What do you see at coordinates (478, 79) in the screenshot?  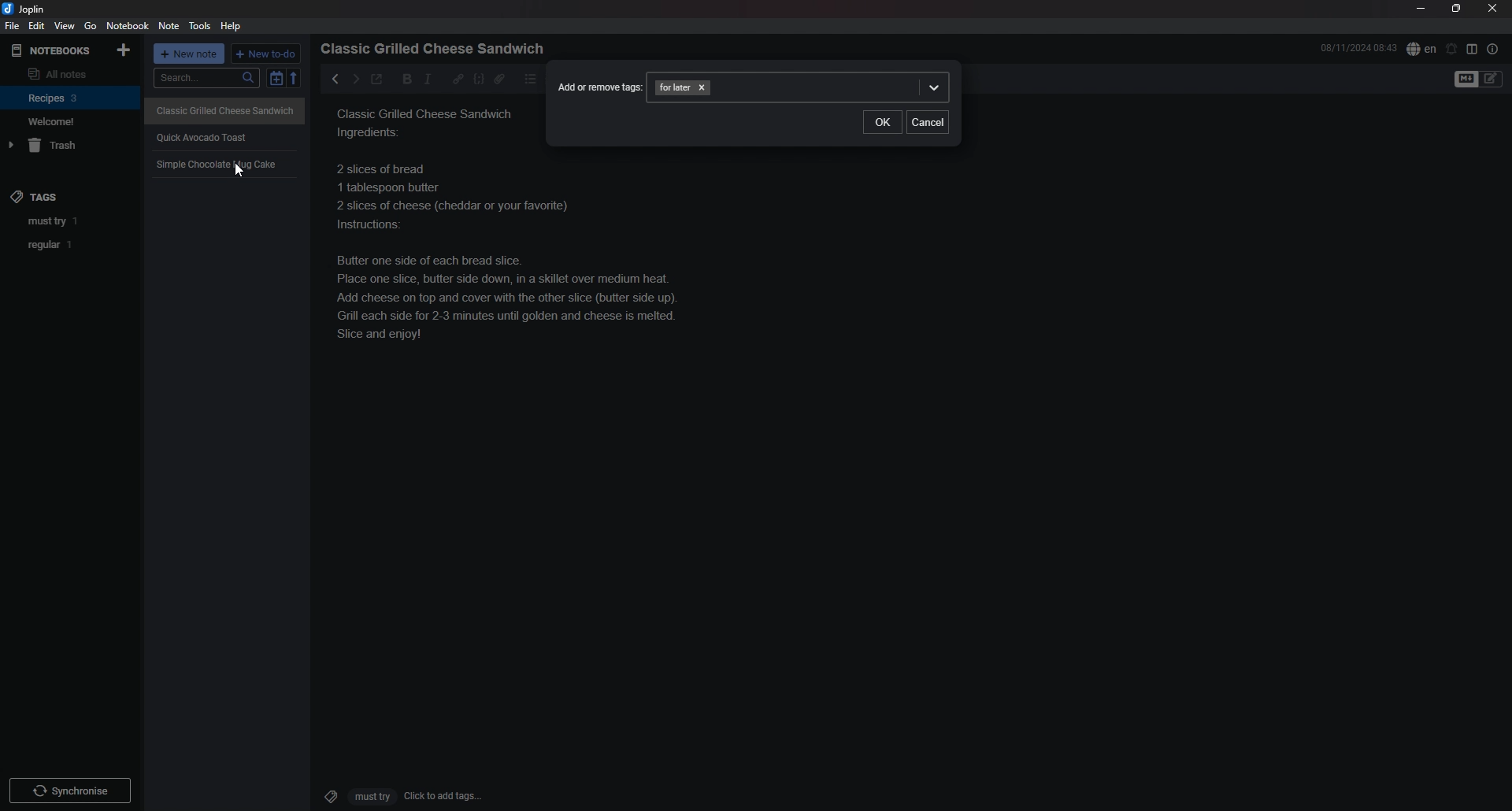 I see `code` at bounding box center [478, 79].